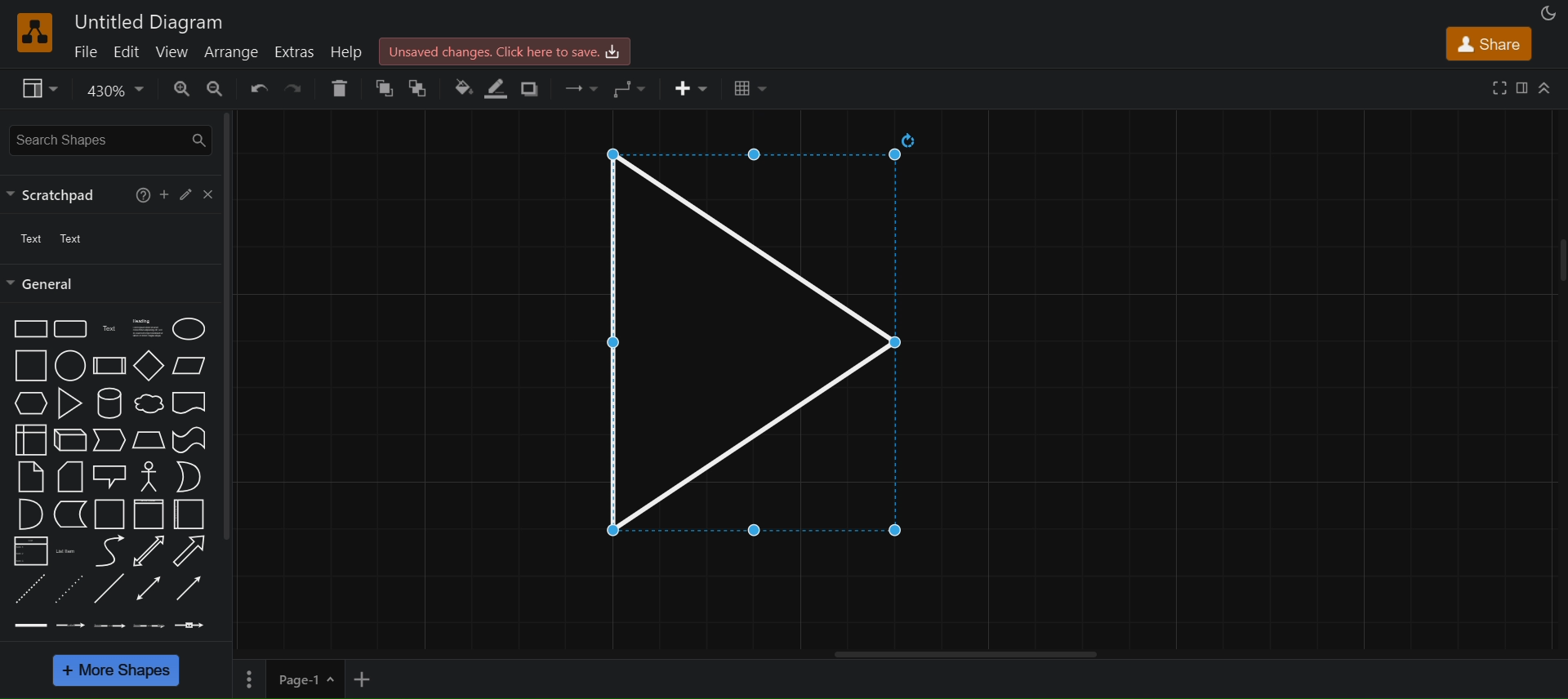 This screenshot has width=1568, height=699. Describe the element at coordinates (56, 239) in the screenshot. I see `text ` at that location.